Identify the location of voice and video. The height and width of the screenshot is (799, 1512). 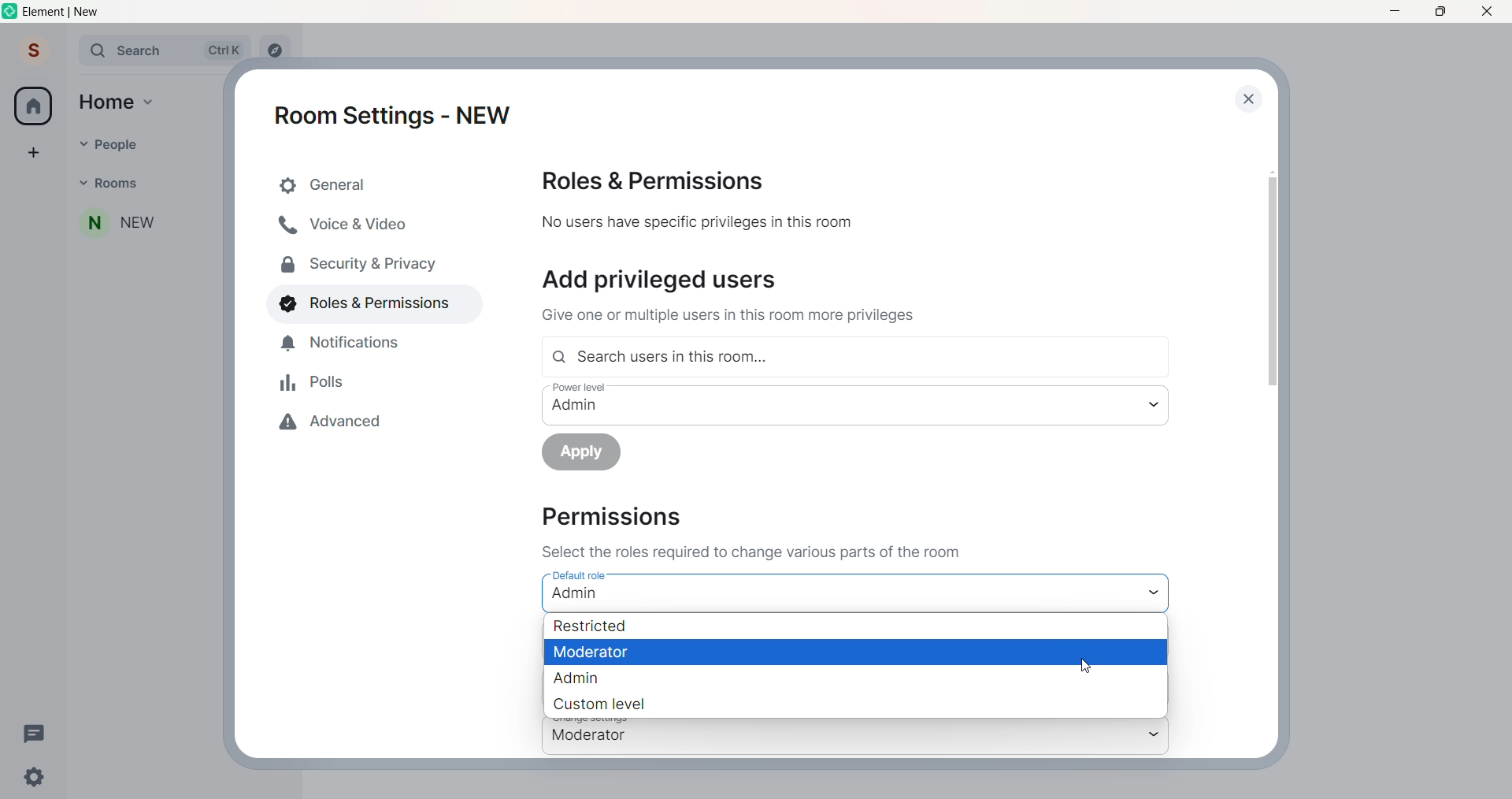
(348, 225).